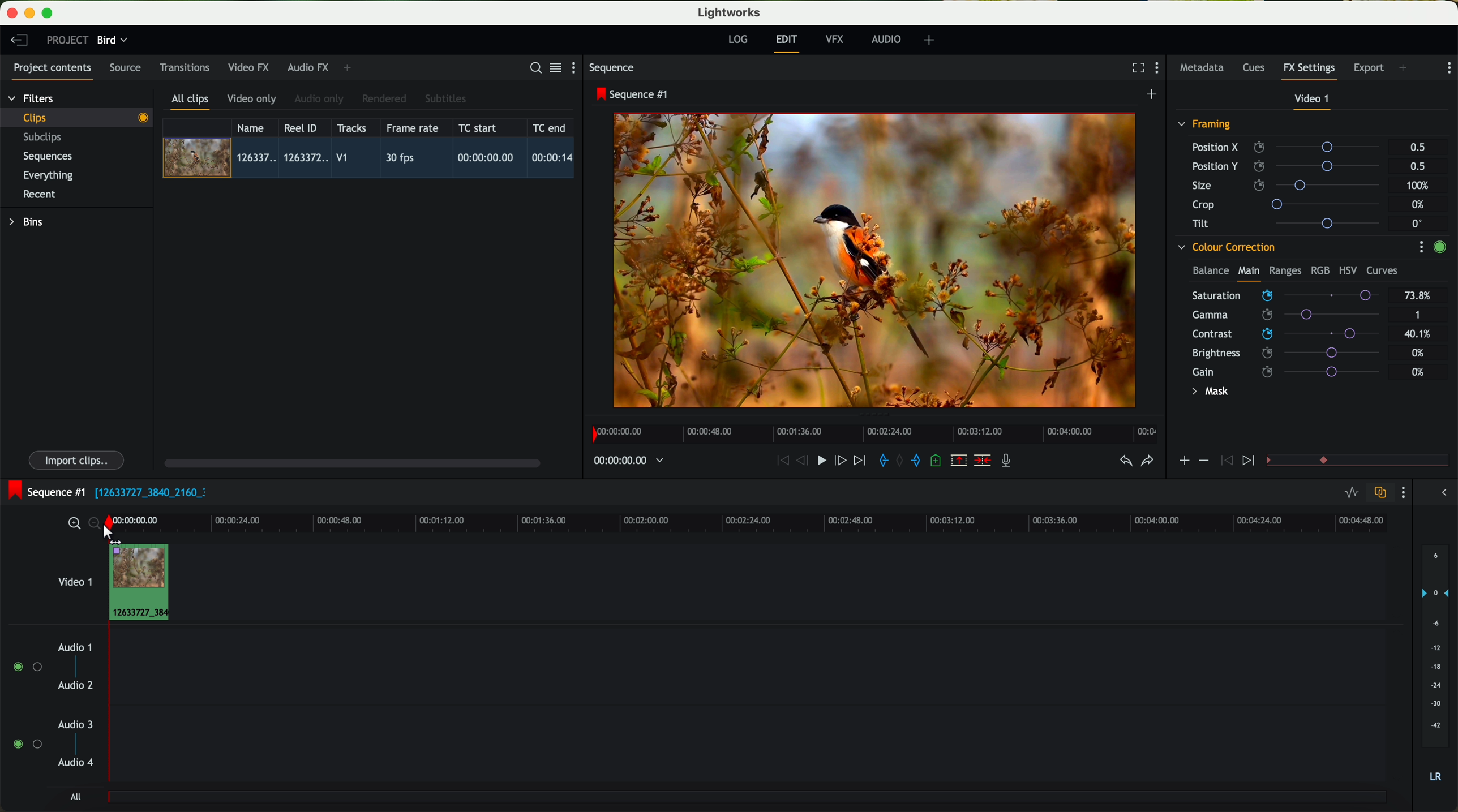  What do you see at coordinates (112, 41) in the screenshot?
I see `bird` at bounding box center [112, 41].